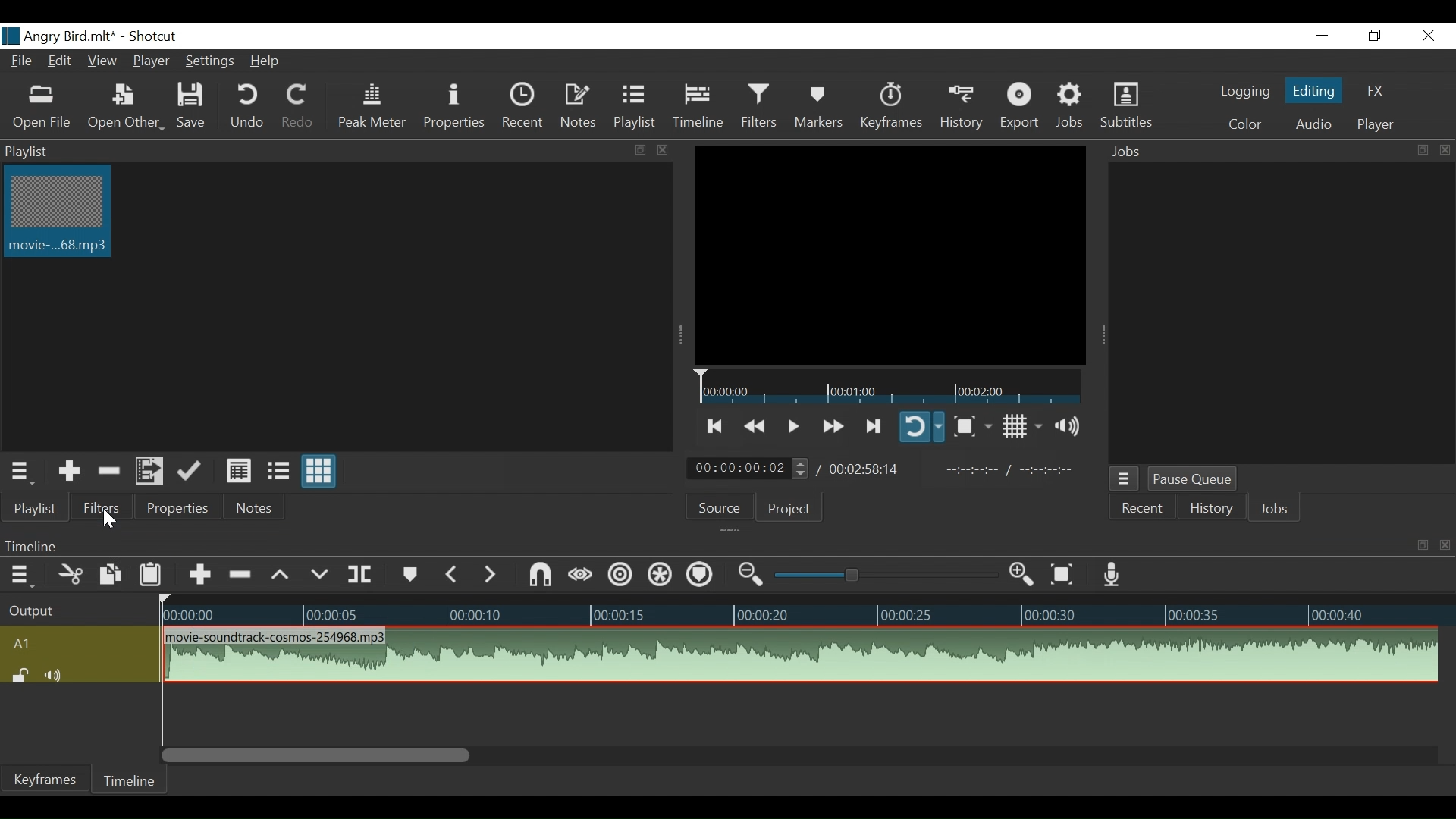 This screenshot has height=819, width=1456. I want to click on FX, so click(1373, 91).